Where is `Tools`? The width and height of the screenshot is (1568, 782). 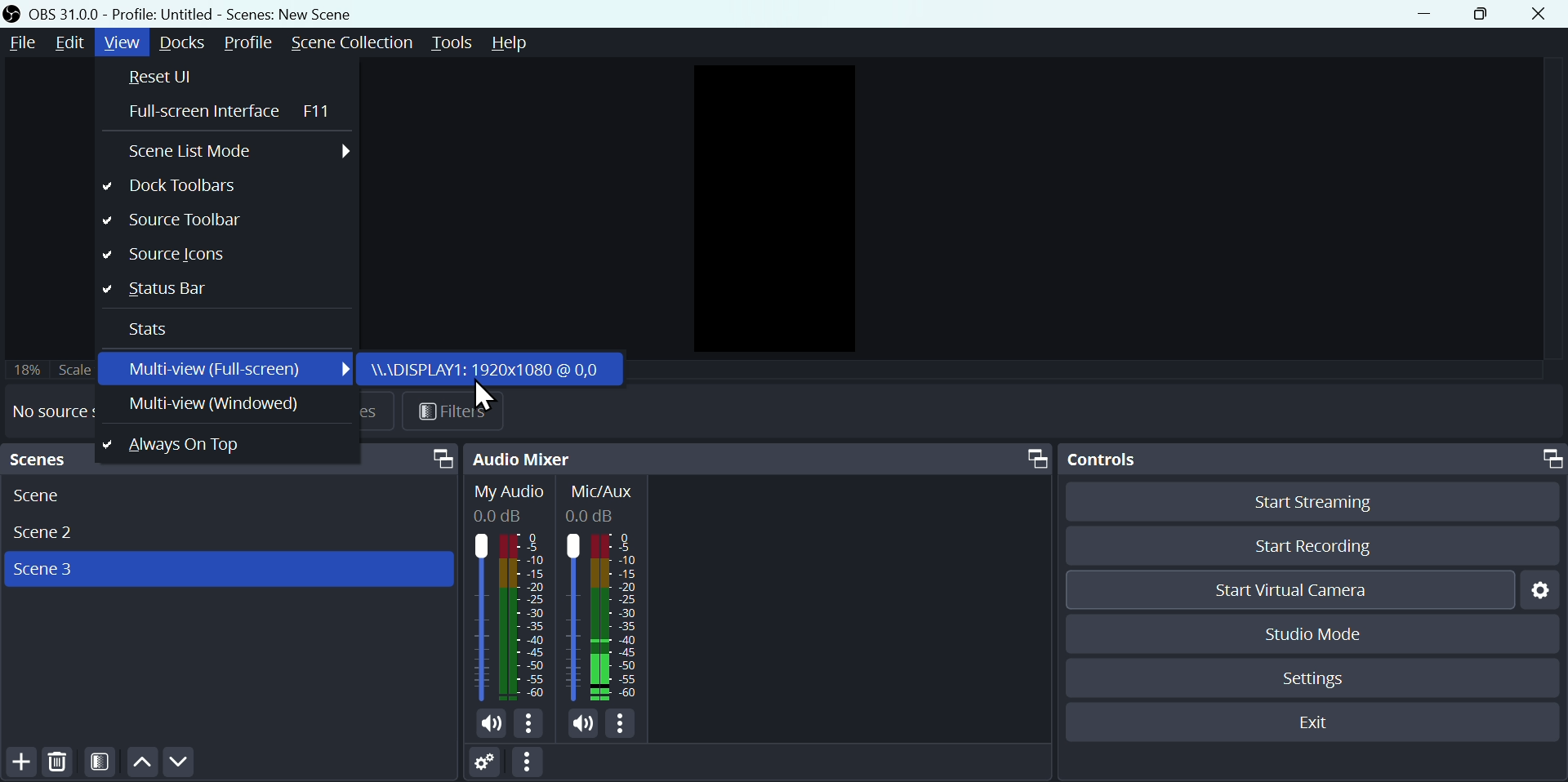 Tools is located at coordinates (452, 42).